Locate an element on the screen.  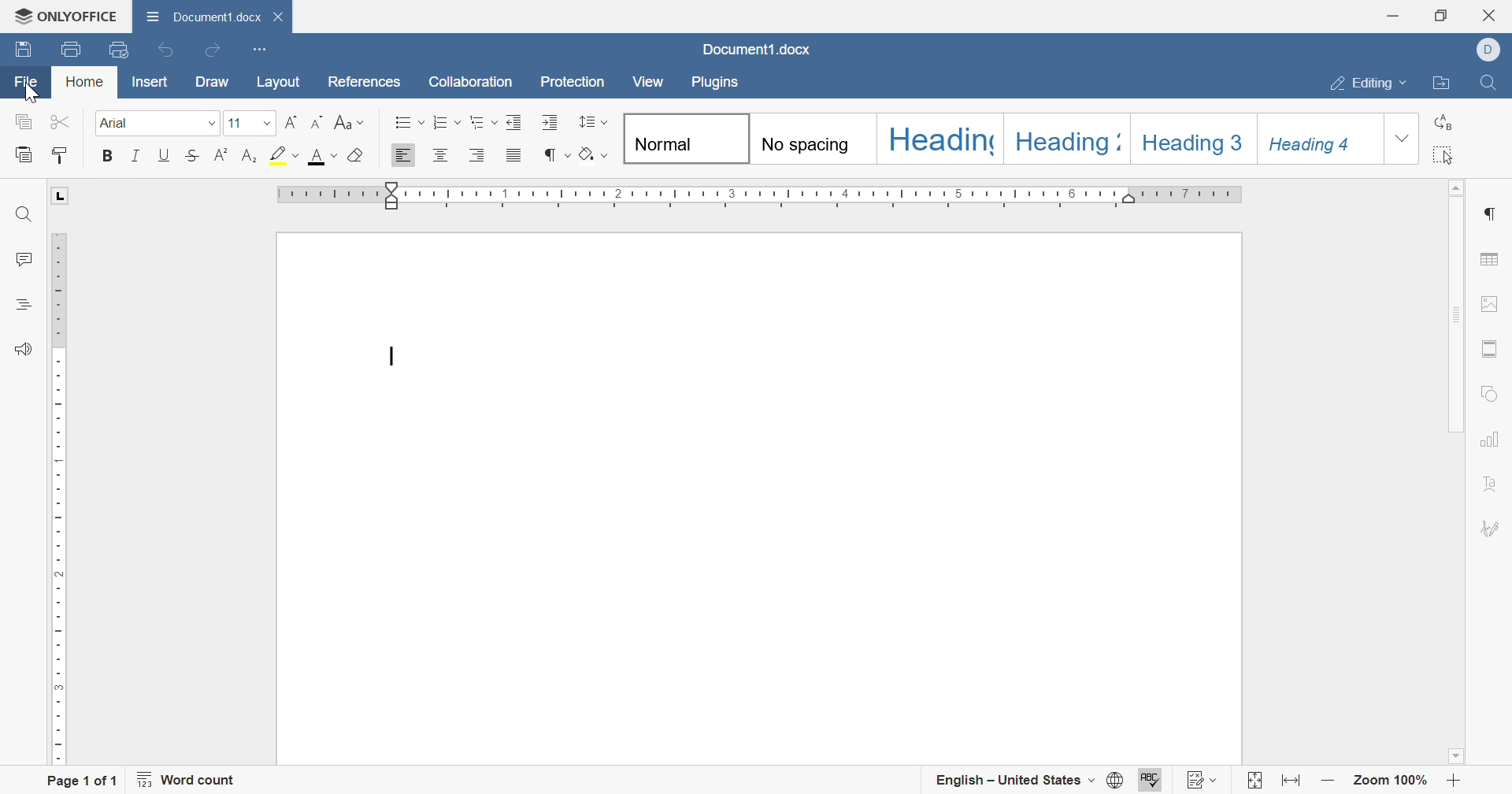
align right is located at coordinates (484, 154).